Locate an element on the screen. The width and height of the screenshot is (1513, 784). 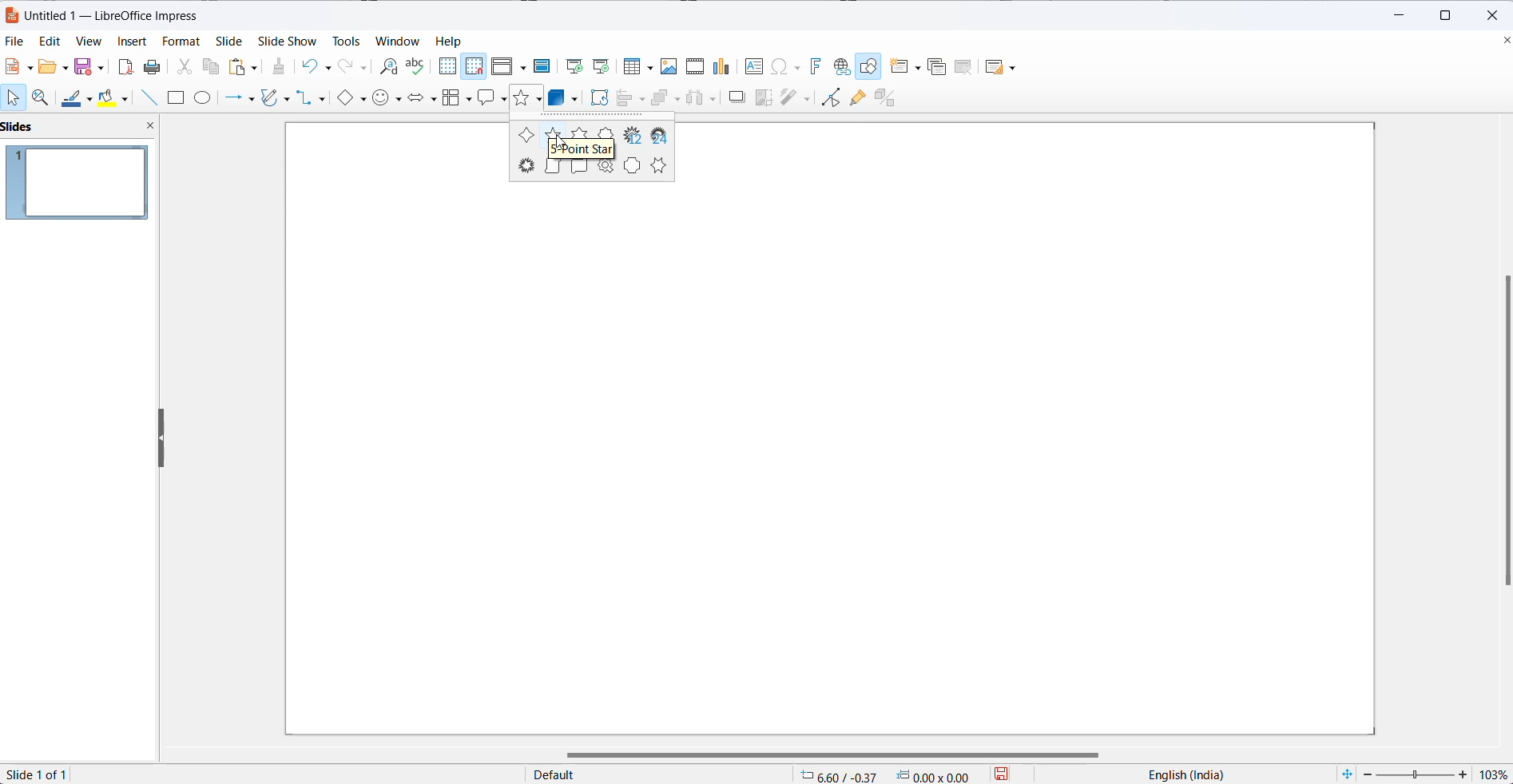
ellipse is located at coordinates (206, 97).